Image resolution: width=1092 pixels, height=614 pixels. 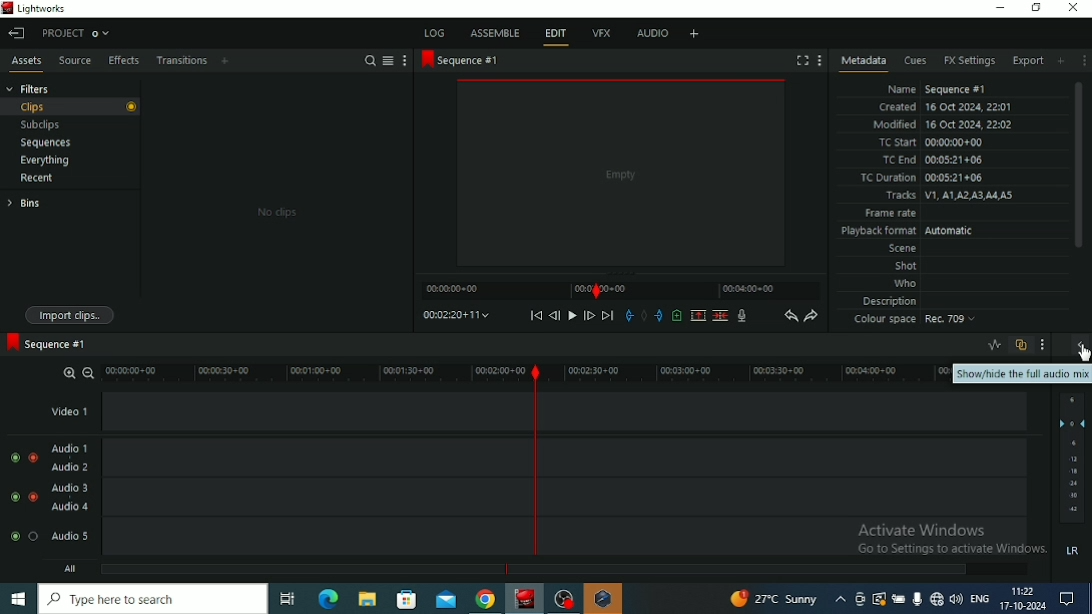 I want to click on Subclips, so click(x=42, y=126).